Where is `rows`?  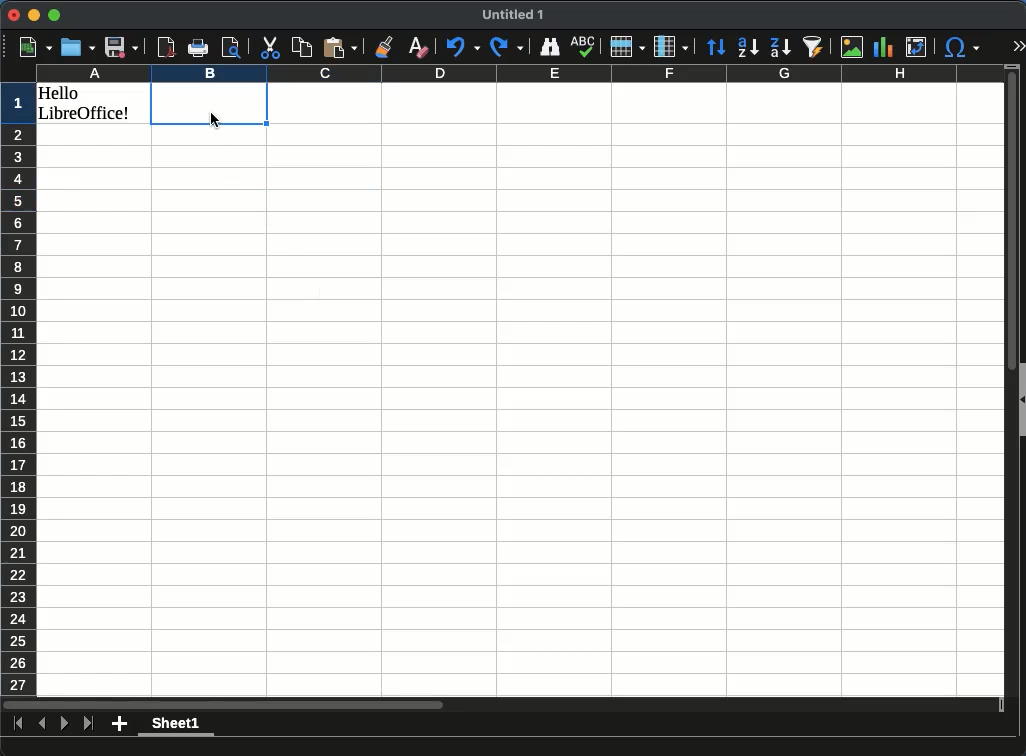
rows is located at coordinates (17, 391).